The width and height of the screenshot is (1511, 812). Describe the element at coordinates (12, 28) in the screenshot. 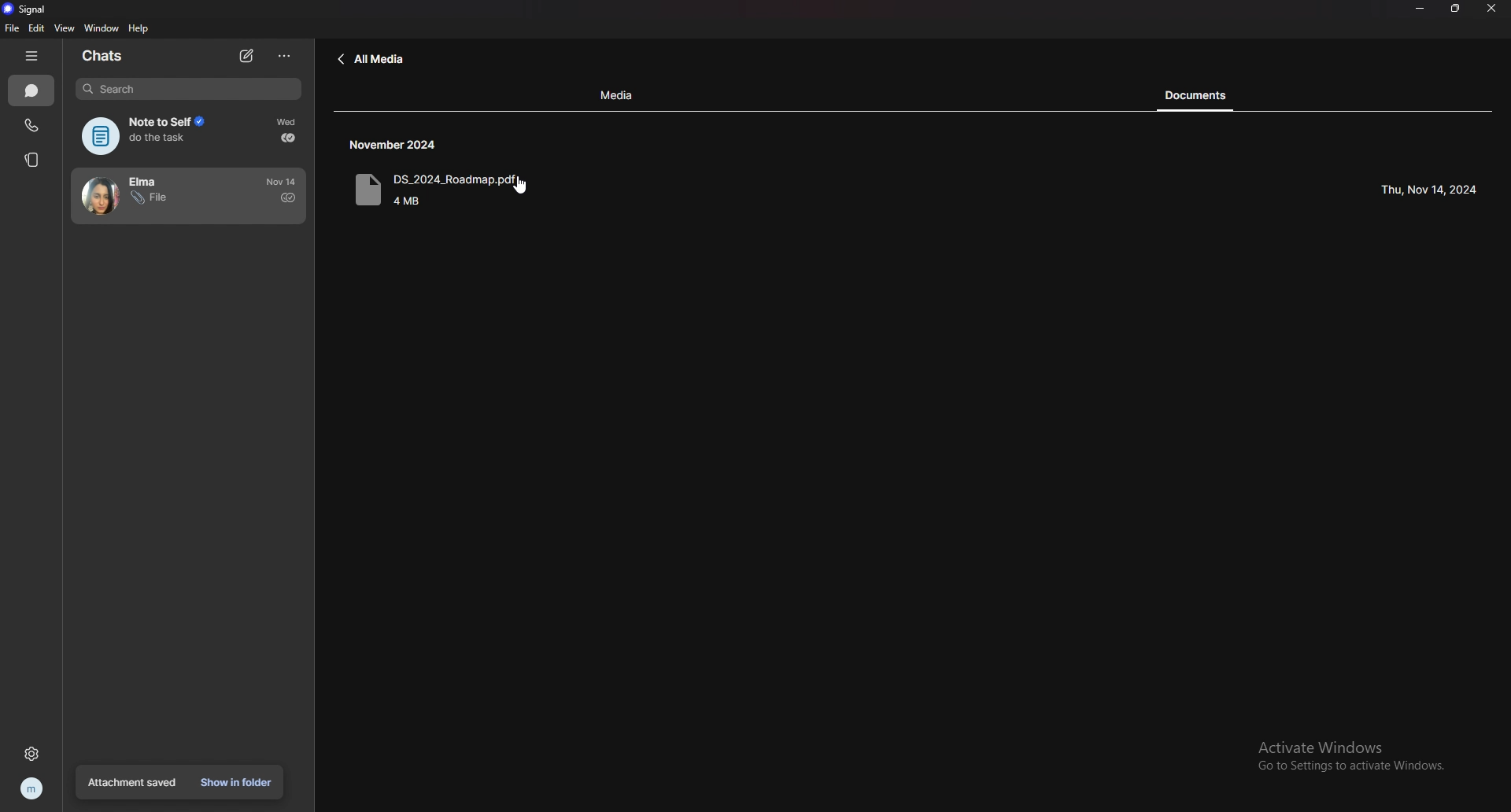

I see `file` at that location.